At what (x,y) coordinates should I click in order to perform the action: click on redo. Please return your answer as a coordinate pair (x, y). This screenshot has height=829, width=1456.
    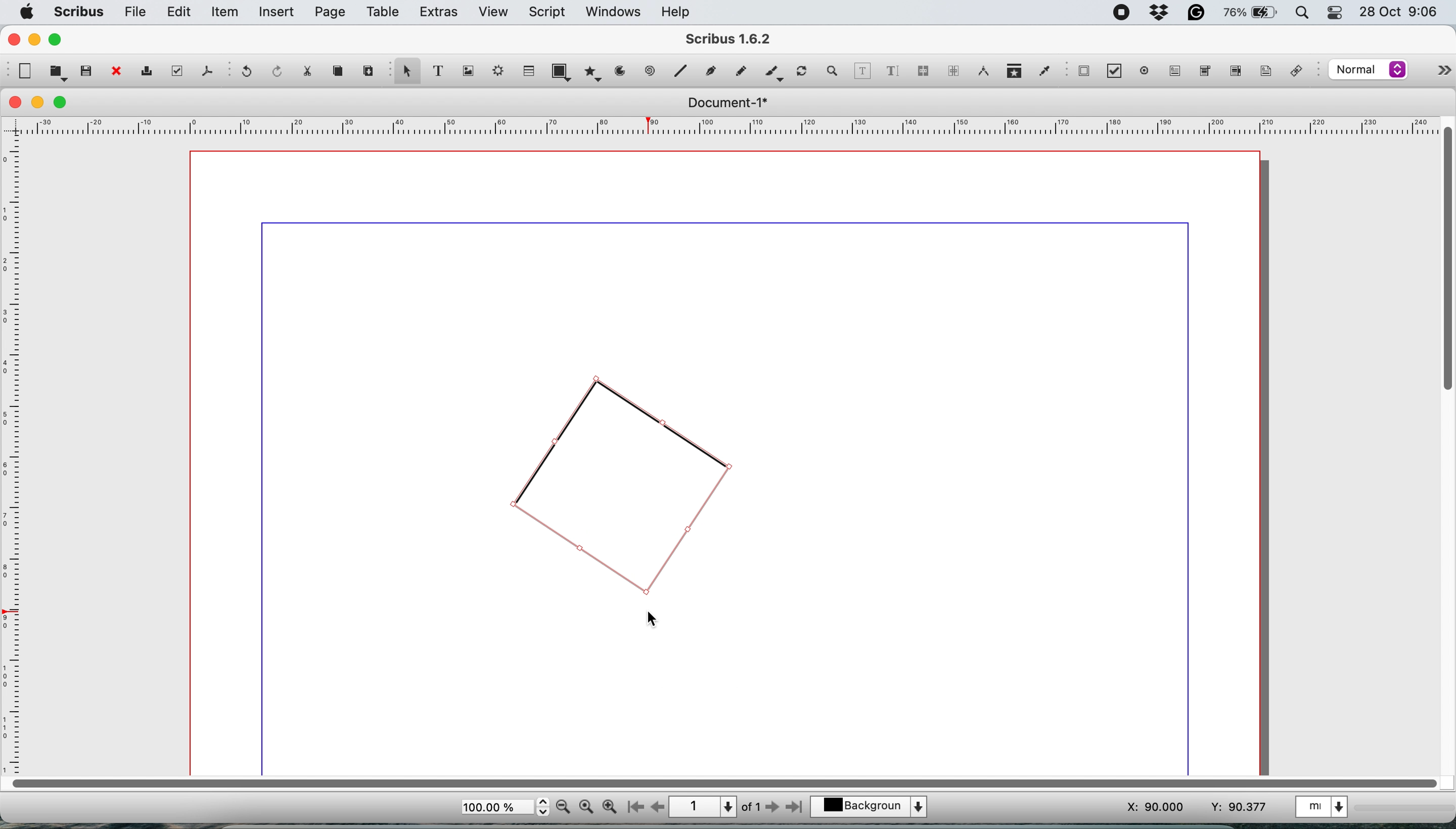
    Looking at the image, I should click on (279, 71).